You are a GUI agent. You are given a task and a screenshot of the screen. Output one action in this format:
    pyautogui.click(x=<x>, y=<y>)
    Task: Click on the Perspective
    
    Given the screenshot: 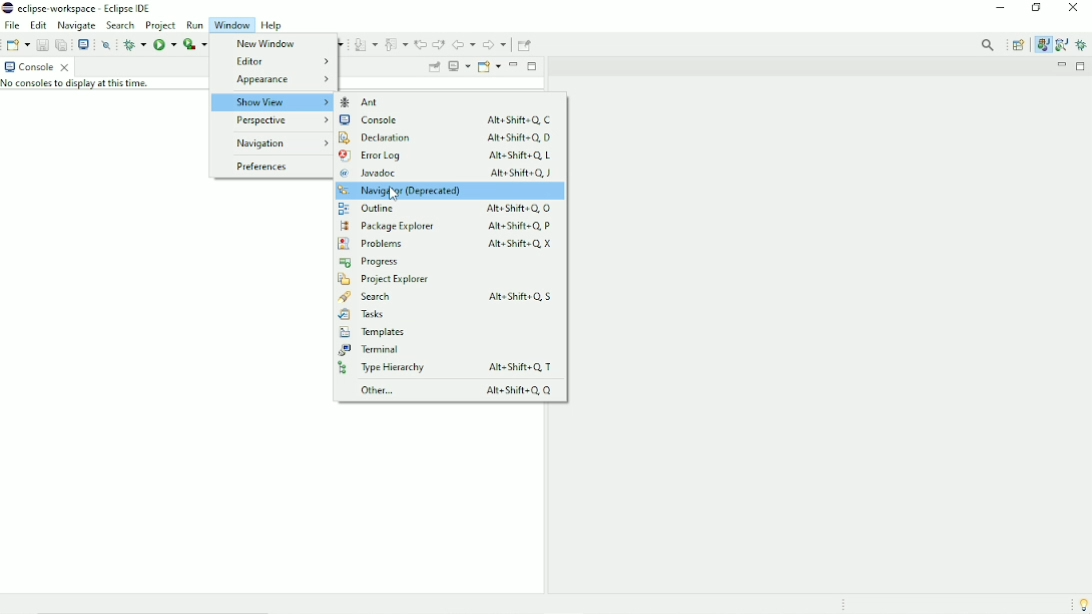 What is the action you would take?
    pyautogui.click(x=270, y=123)
    